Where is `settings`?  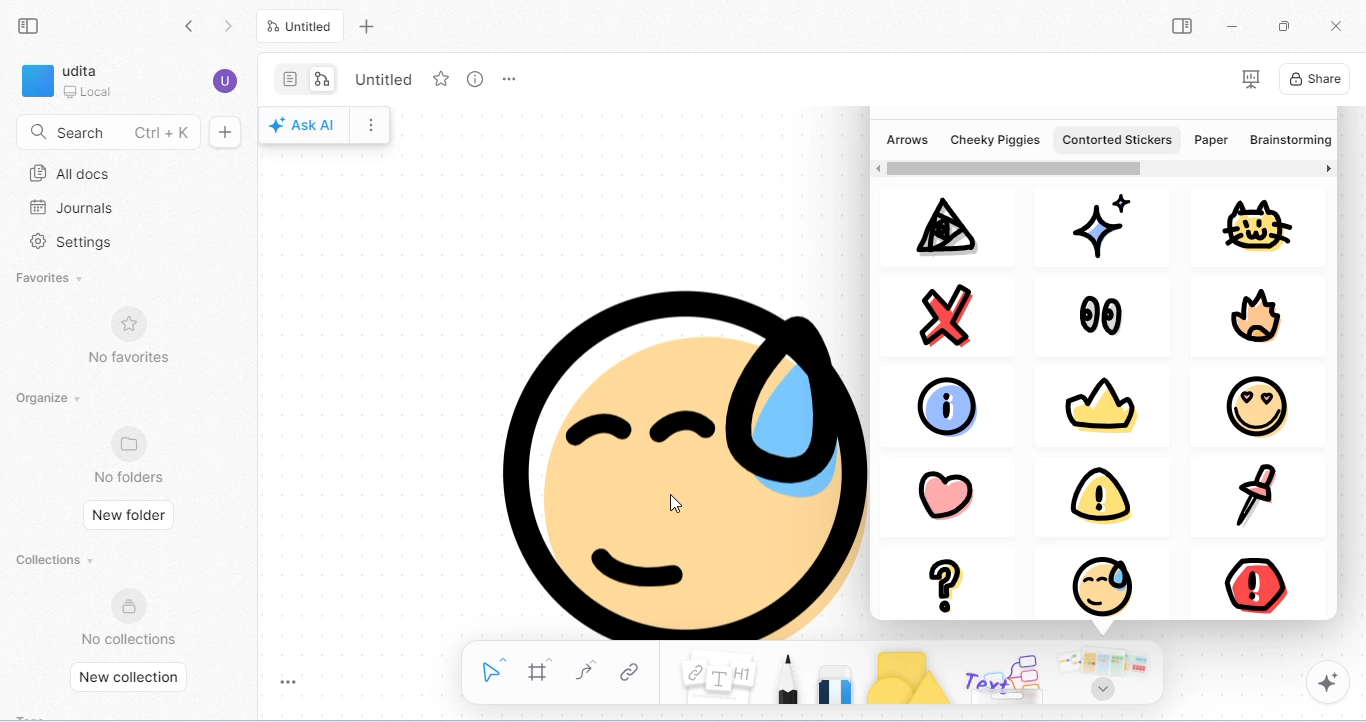
settings is located at coordinates (75, 243).